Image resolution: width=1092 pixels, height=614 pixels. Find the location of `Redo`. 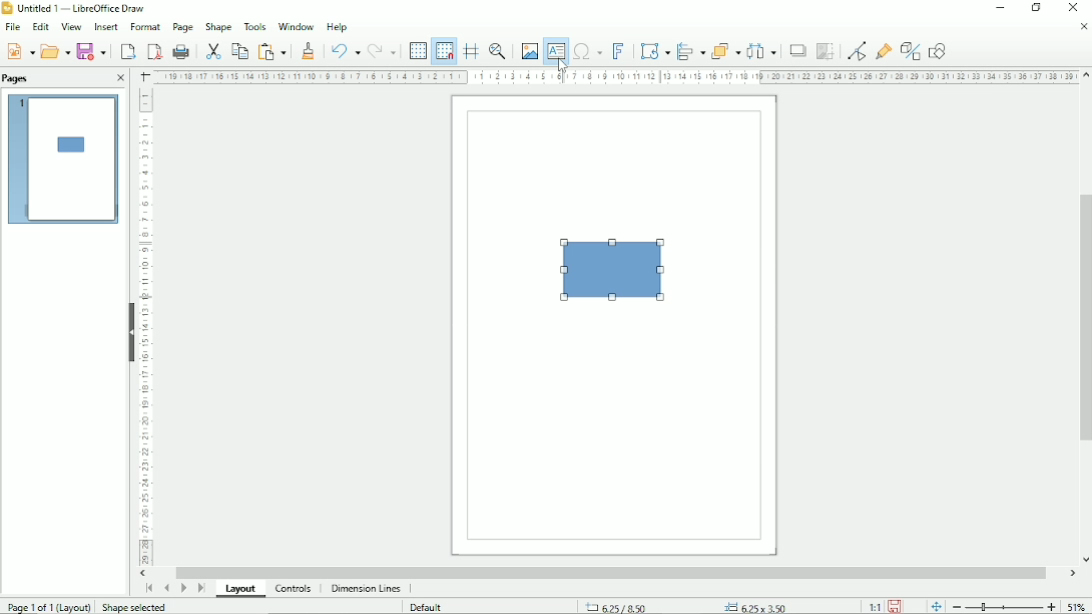

Redo is located at coordinates (384, 51).